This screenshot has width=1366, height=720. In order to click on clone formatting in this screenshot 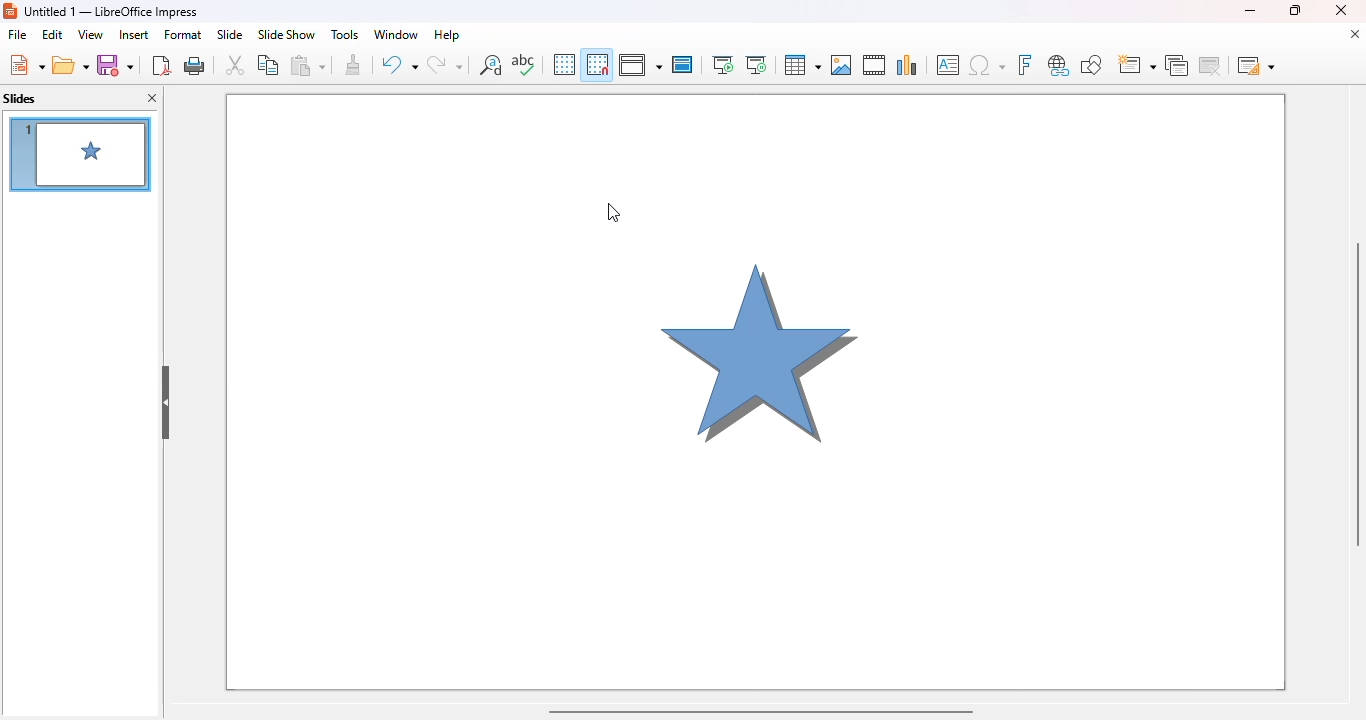, I will do `click(353, 65)`.